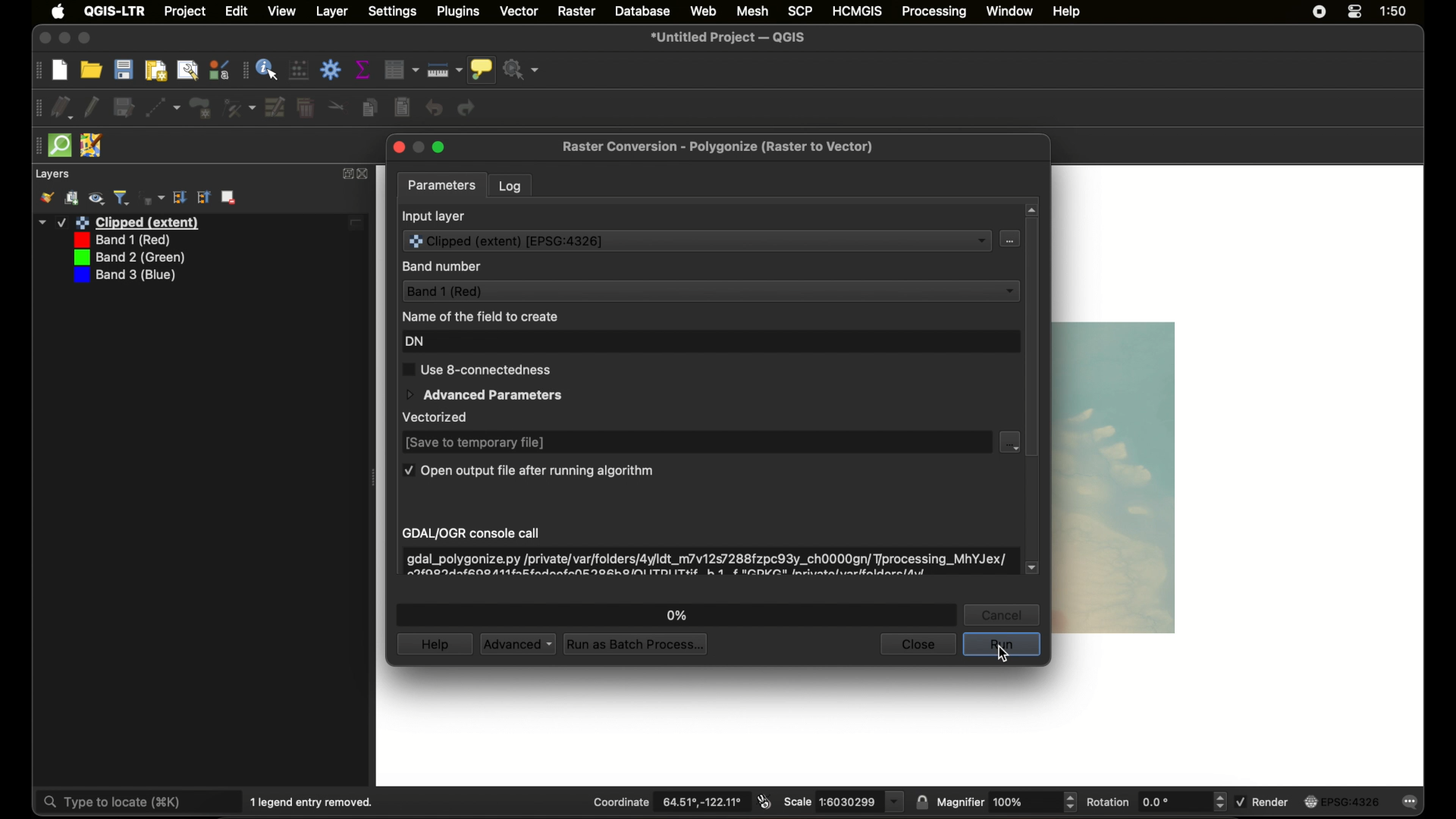 The height and width of the screenshot is (819, 1456). What do you see at coordinates (710, 290) in the screenshot?
I see `band  1 red dropdown` at bounding box center [710, 290].